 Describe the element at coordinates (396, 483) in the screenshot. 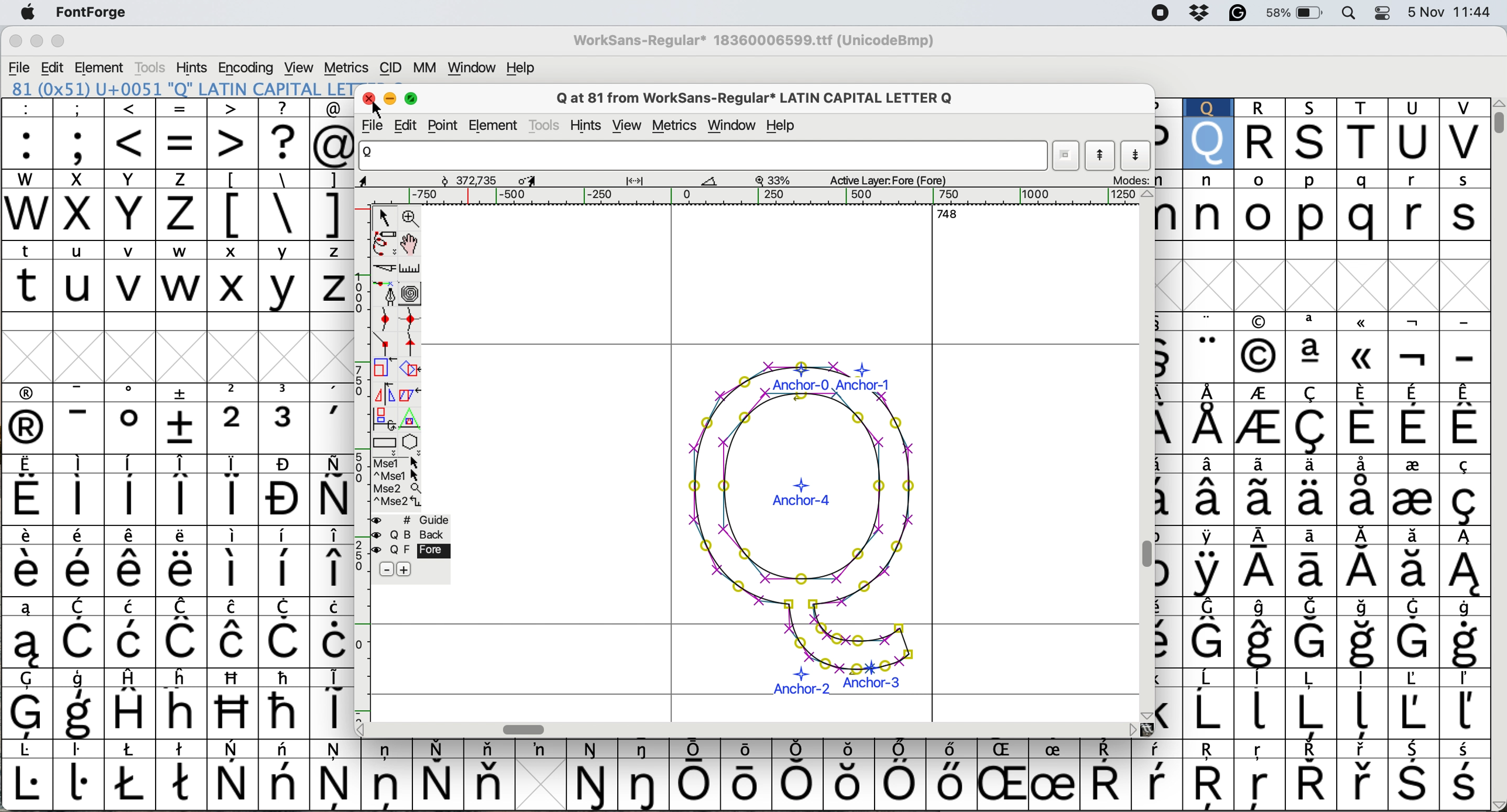

I see `more options` at that location.